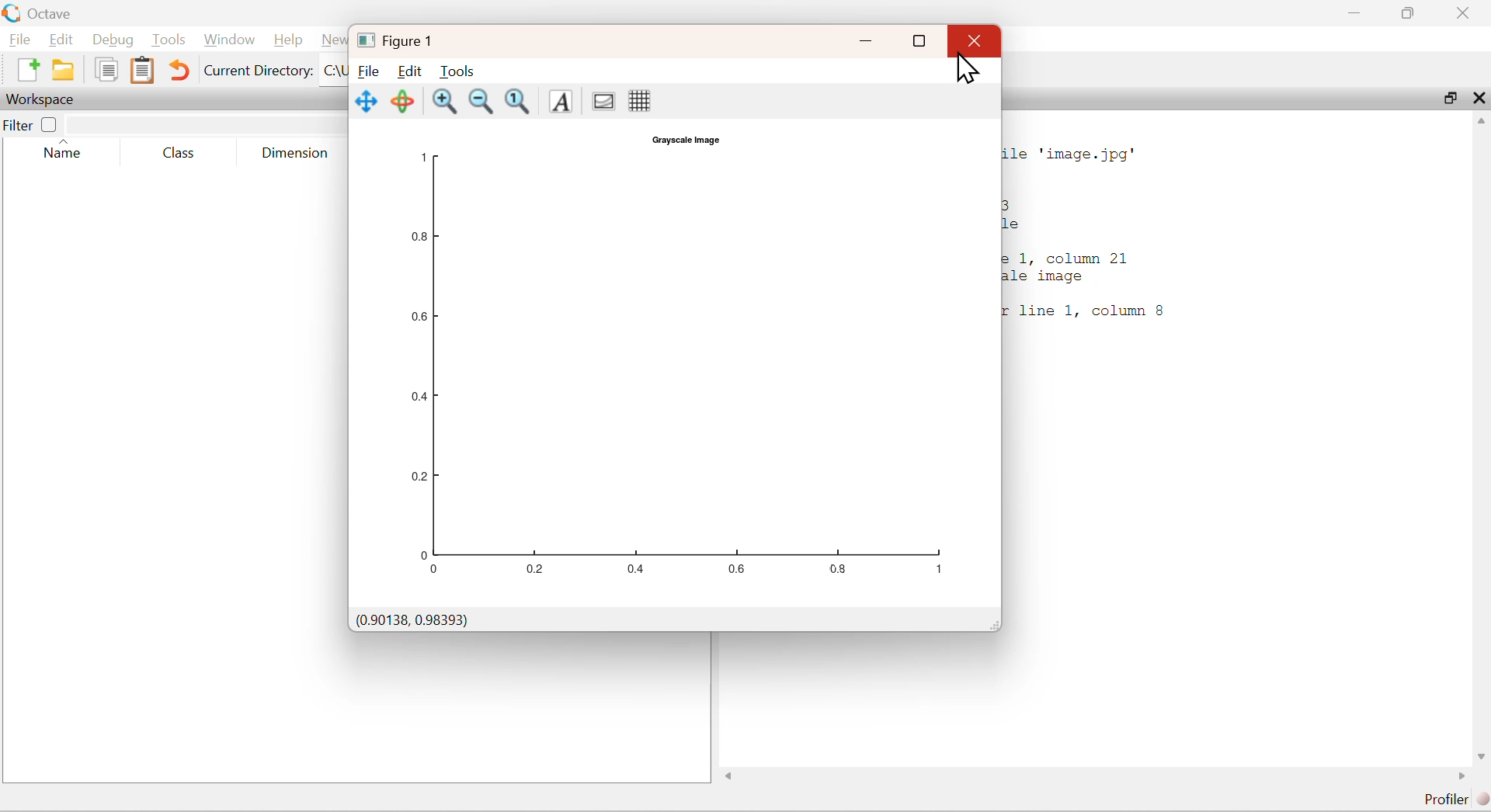  What do you see at coordinates (410, 70) in the screenshot?
I see `Edit` at bounding box center [410, 70].